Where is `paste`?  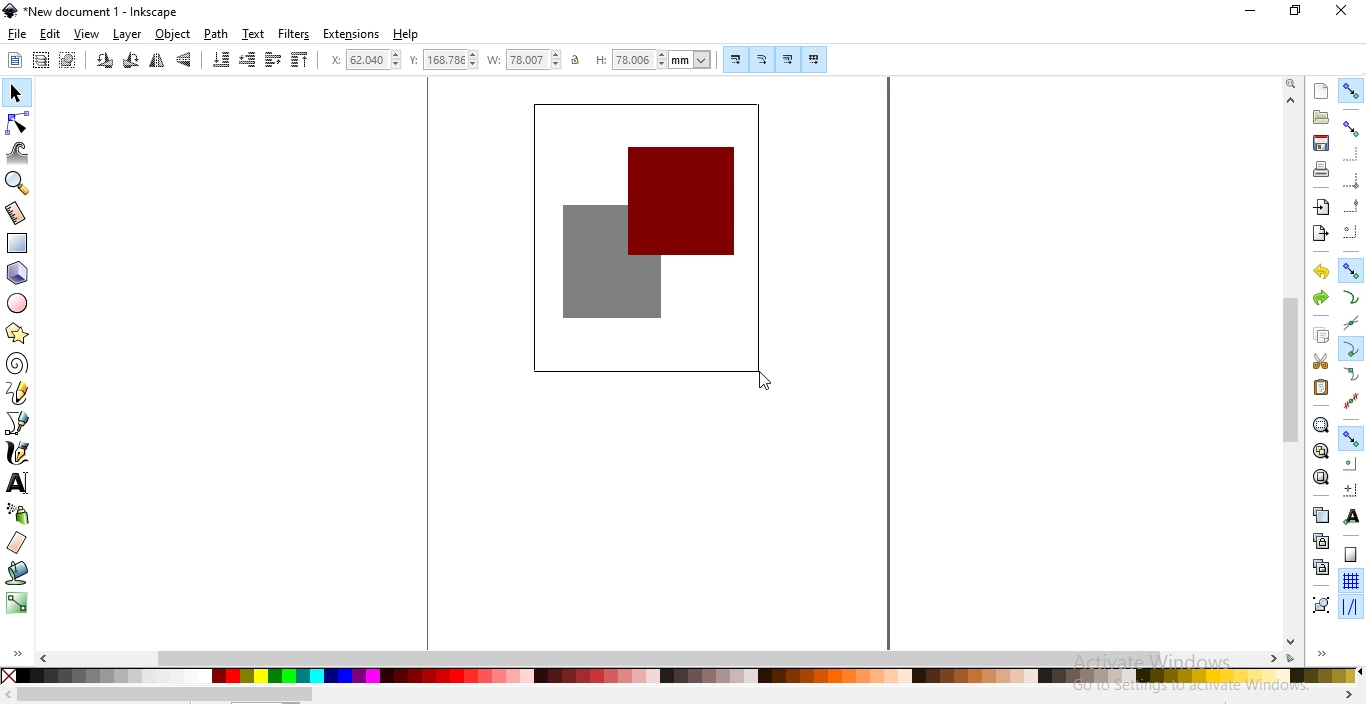 paste is located at coordinates (1320, 387).